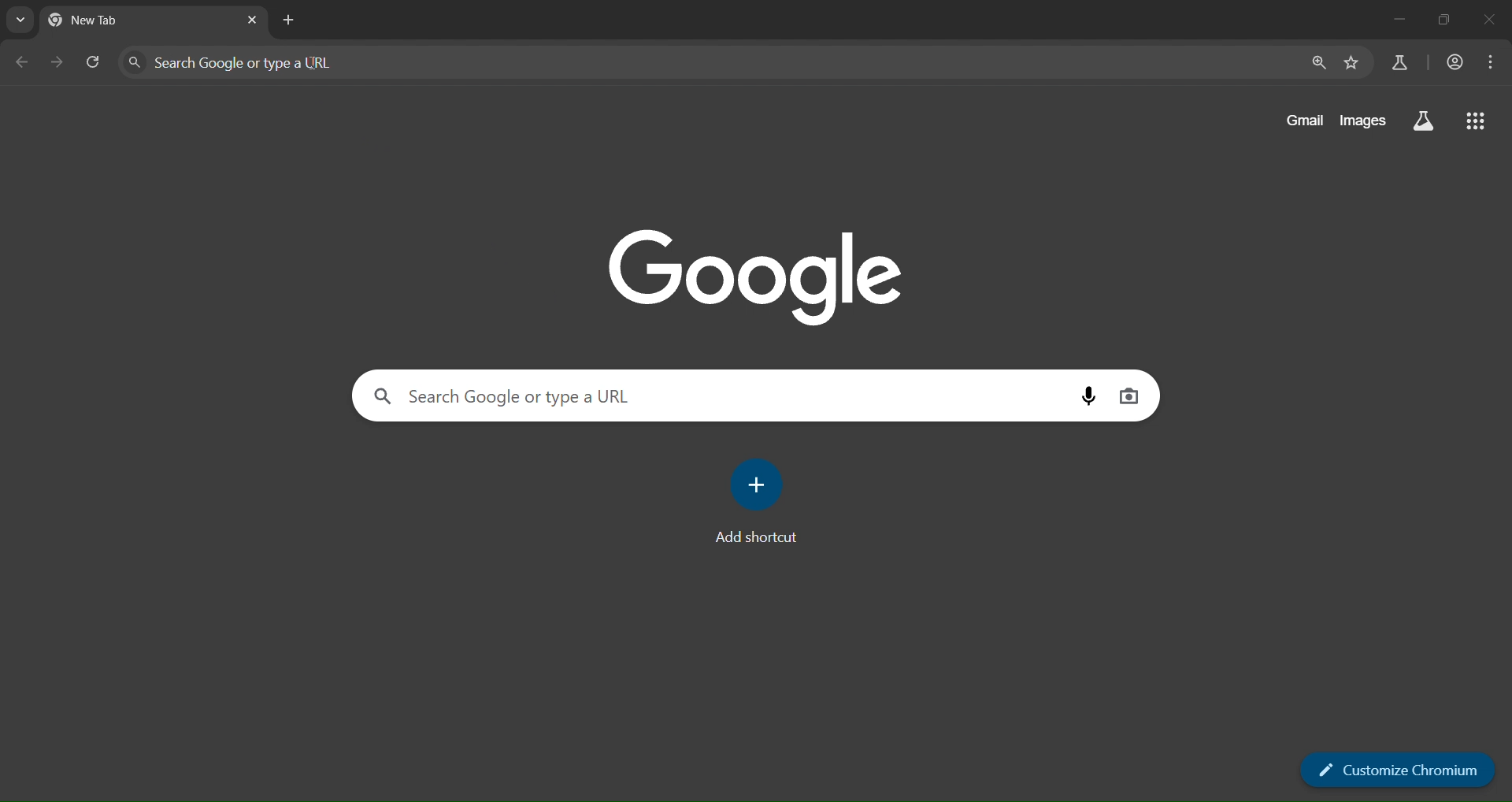 The image size is (1512, 802). What do you see at coordinates (250, 22) in the screenshot?
I see `new tab` at bounding box center [250, 22].